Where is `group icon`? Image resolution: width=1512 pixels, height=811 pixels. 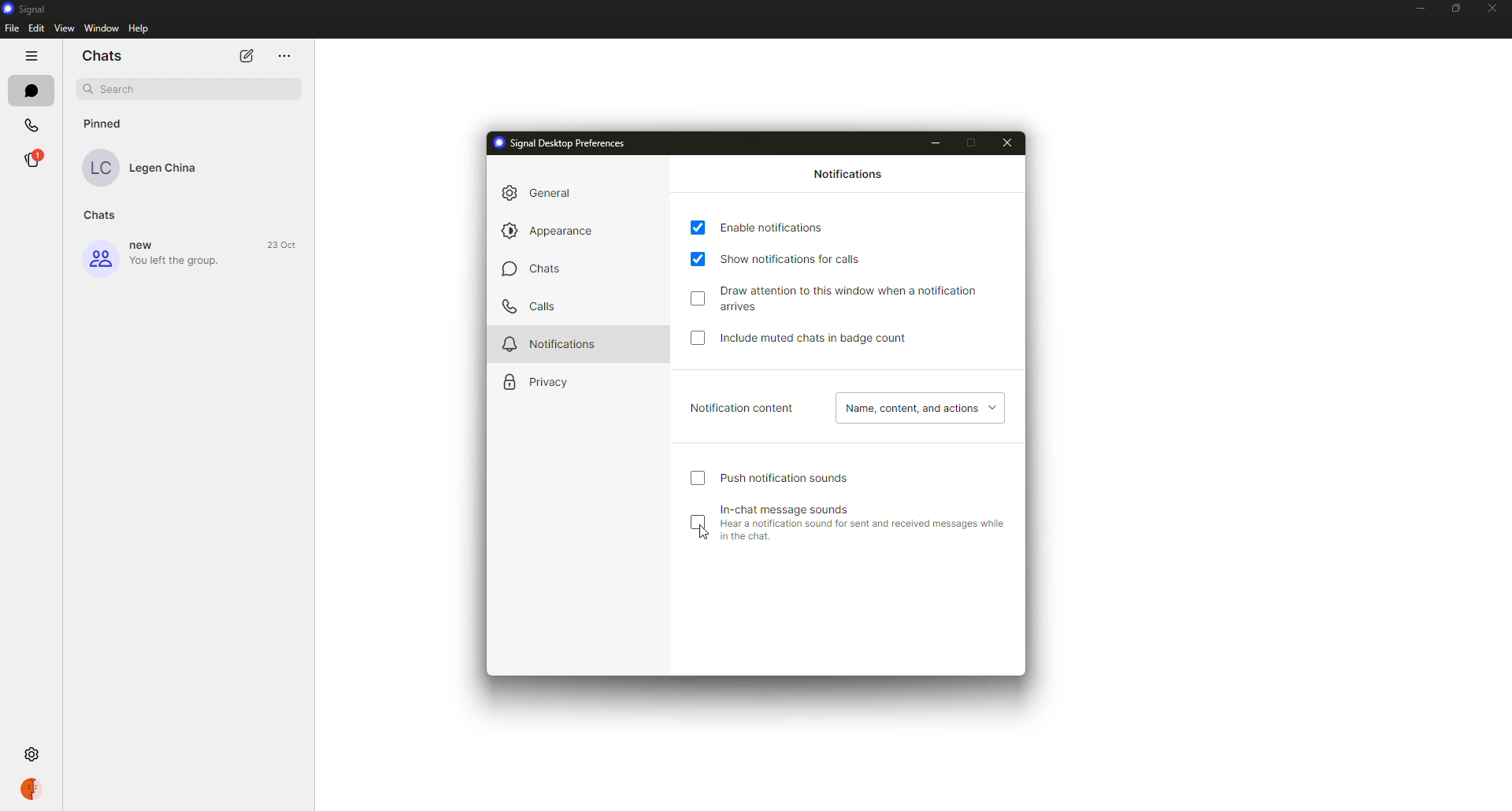
group icon is located at coordinates (101, 257).